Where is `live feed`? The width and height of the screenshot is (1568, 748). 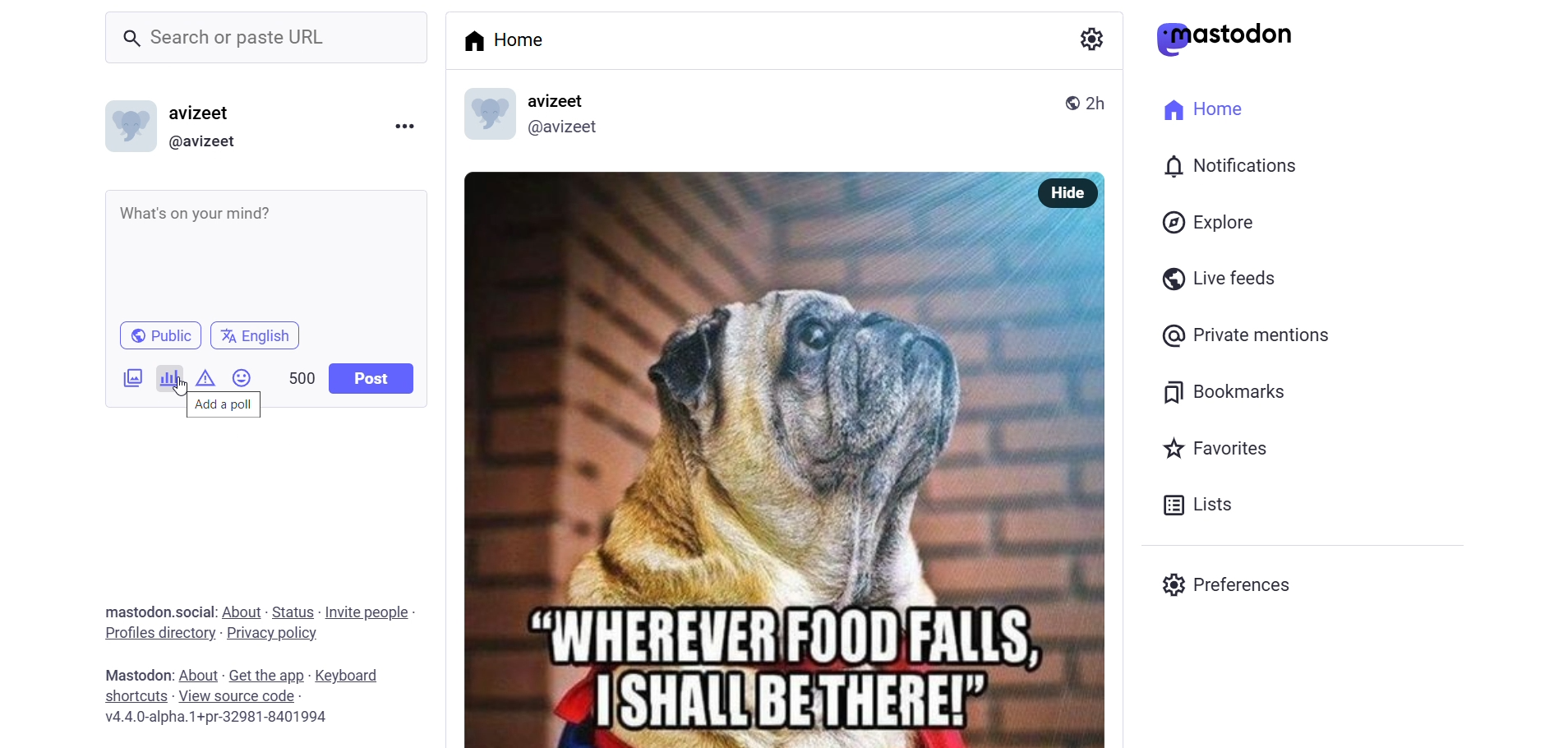 live feed is located at coordinates (1215, 277).